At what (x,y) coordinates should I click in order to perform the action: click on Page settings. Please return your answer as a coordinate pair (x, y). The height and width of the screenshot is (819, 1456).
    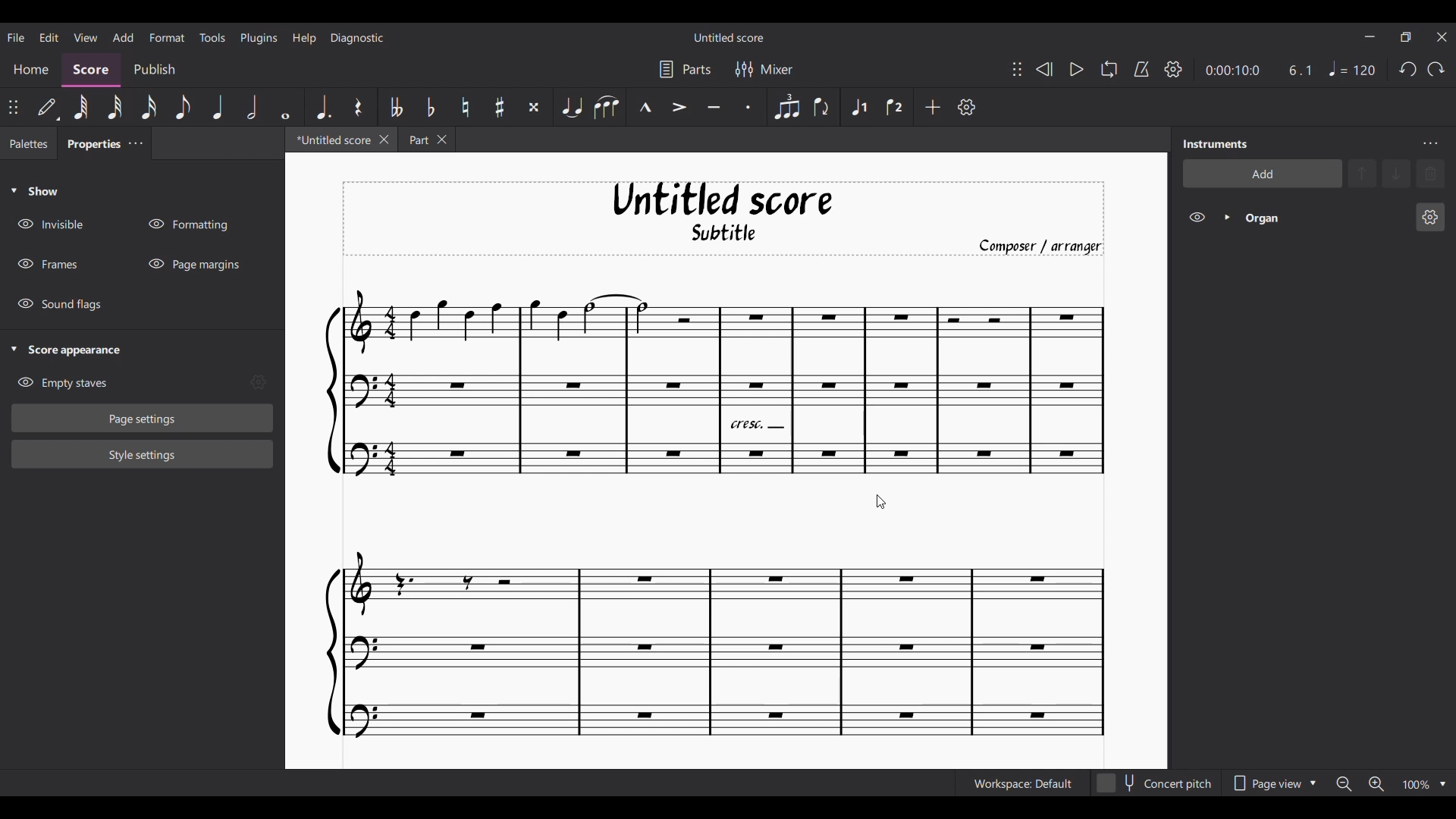
    Looking at the image, I should click on (143, 419).